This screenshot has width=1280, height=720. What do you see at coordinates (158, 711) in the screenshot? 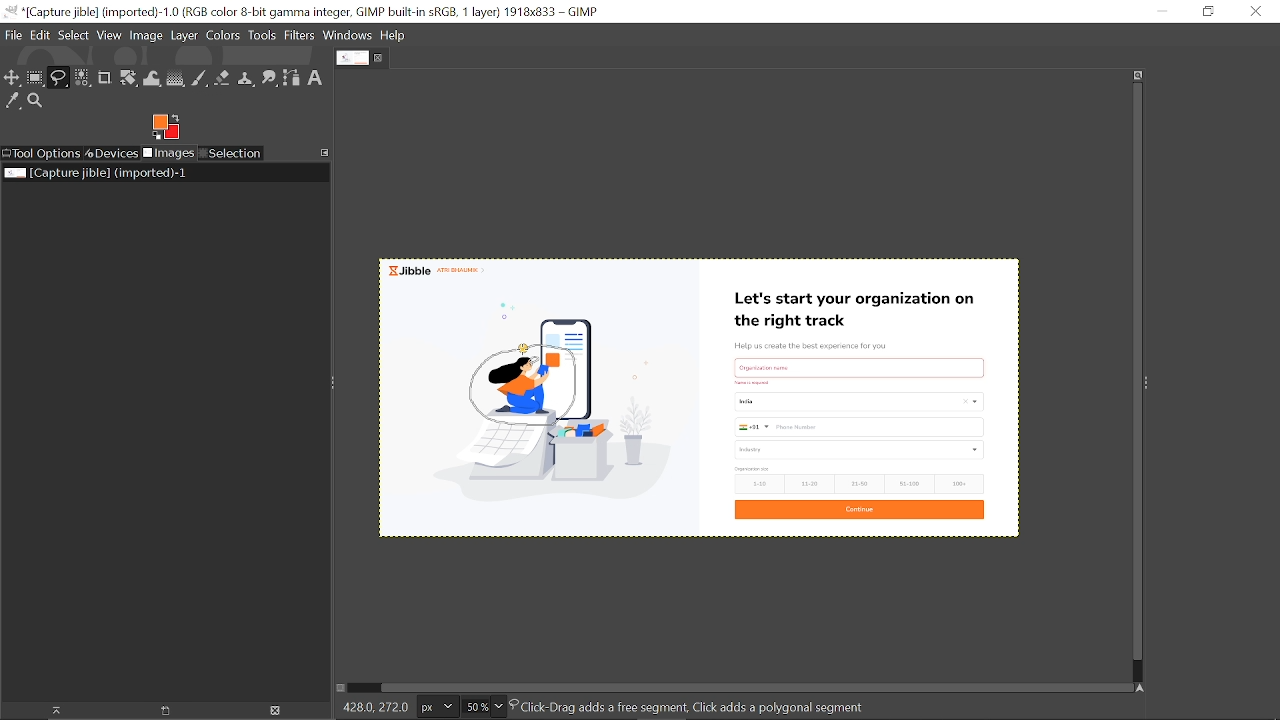
I see `open new display` at bounding box center [158, 711].